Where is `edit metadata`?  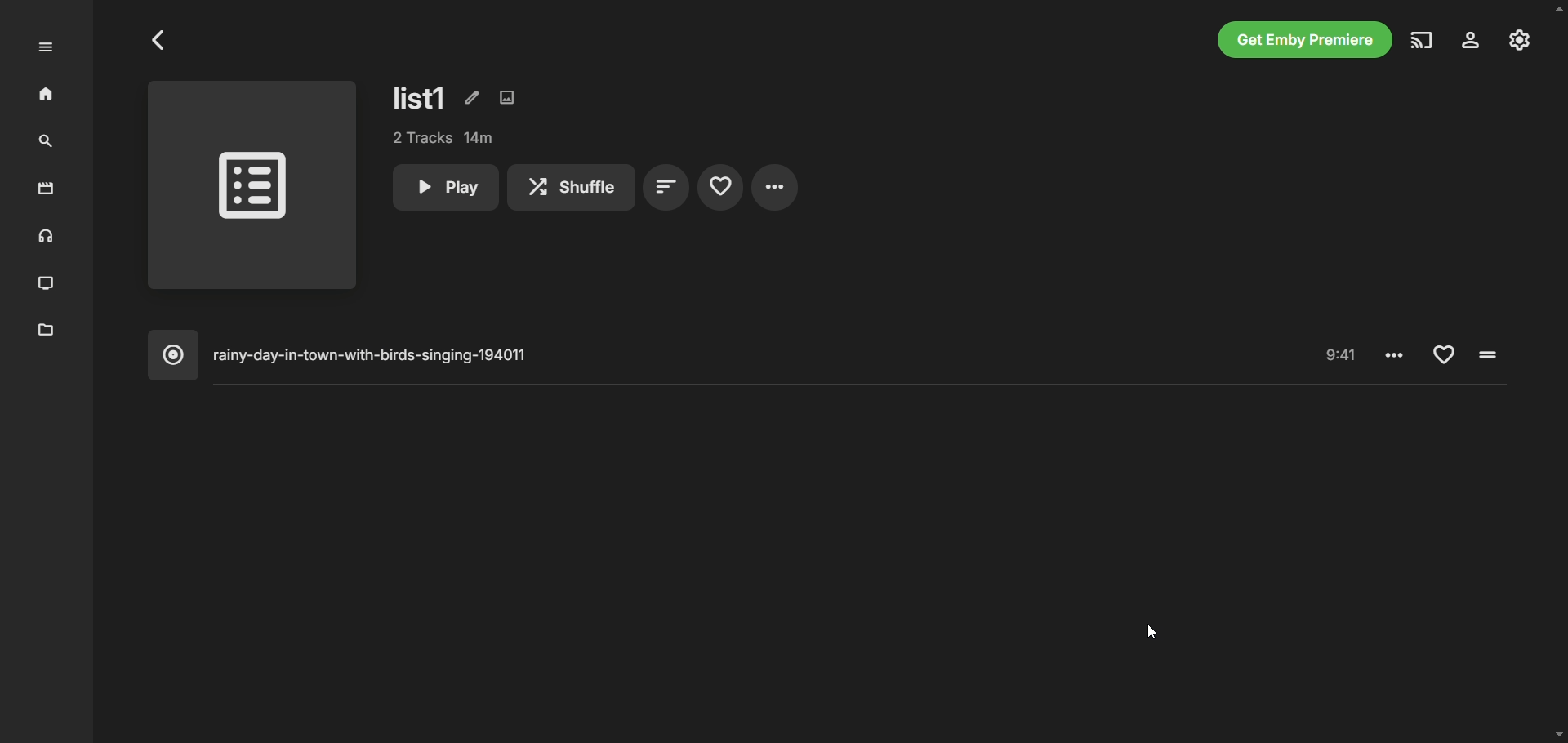 edit metadata is located at coordinates (470, 96).